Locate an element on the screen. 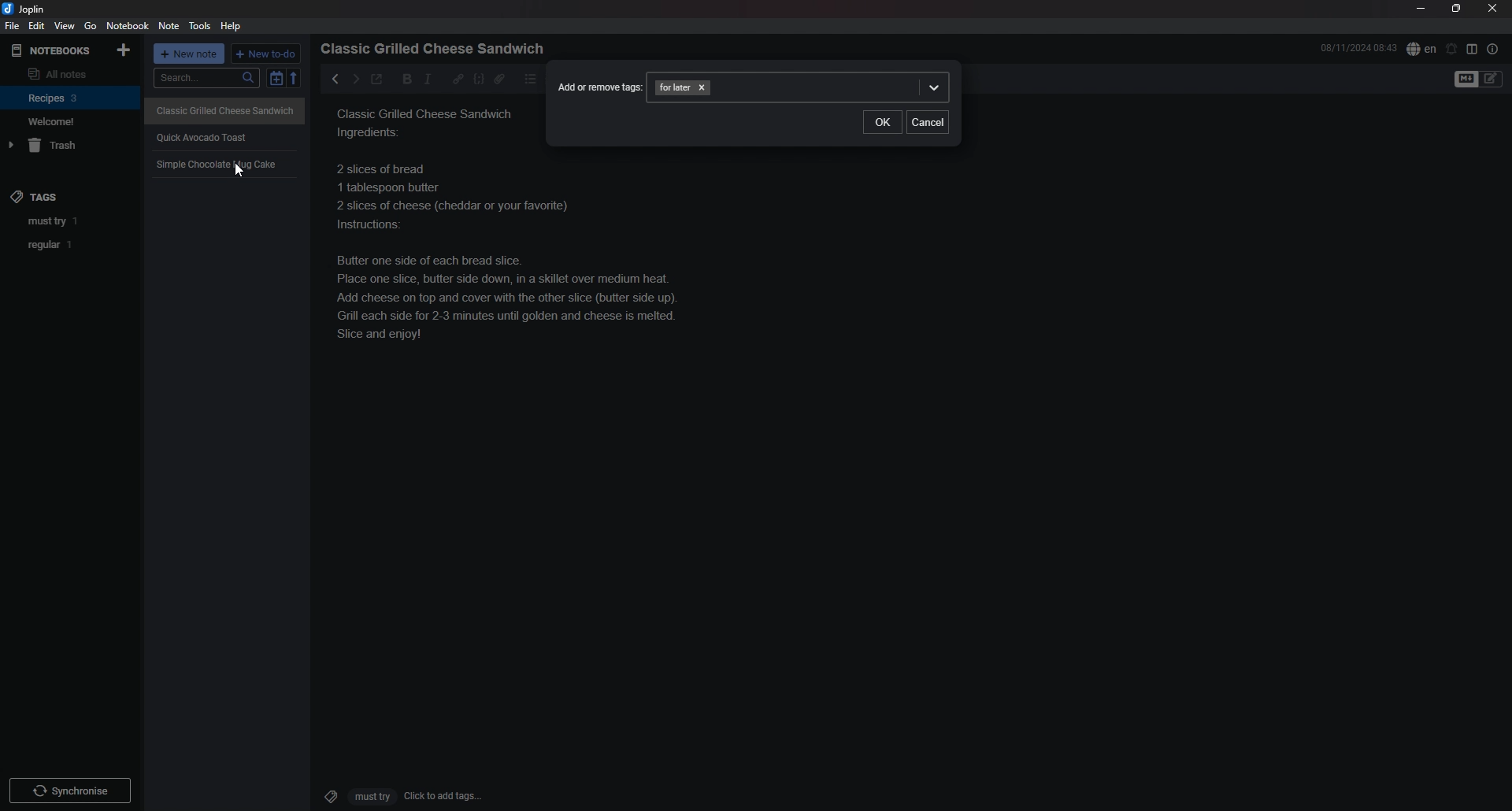 The width and height of the screenshot is (1512, 811). toggle editor layout is located at coordinates (1473, 49).